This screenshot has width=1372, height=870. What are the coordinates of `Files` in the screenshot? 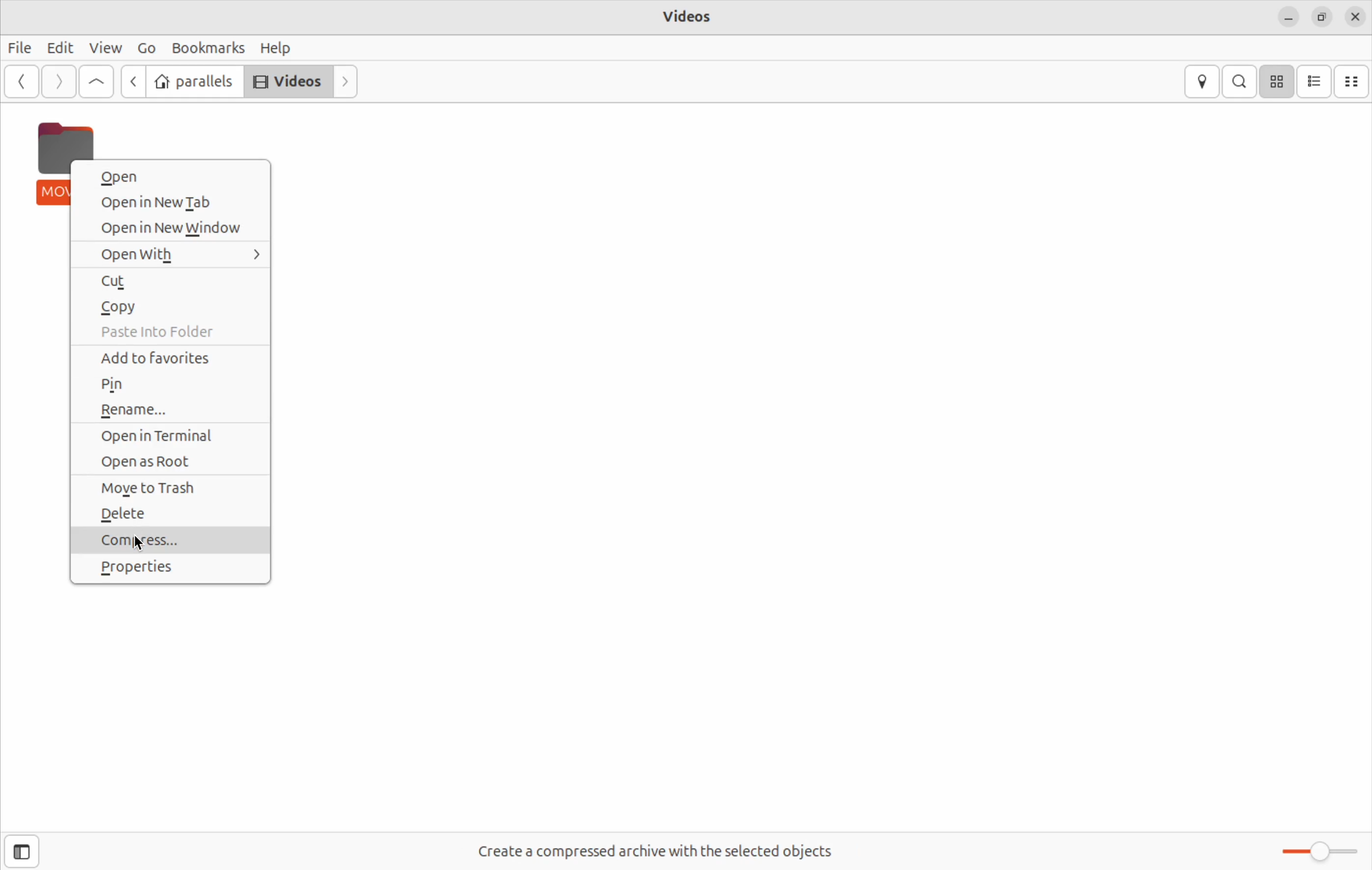 It's located at (20, 50).